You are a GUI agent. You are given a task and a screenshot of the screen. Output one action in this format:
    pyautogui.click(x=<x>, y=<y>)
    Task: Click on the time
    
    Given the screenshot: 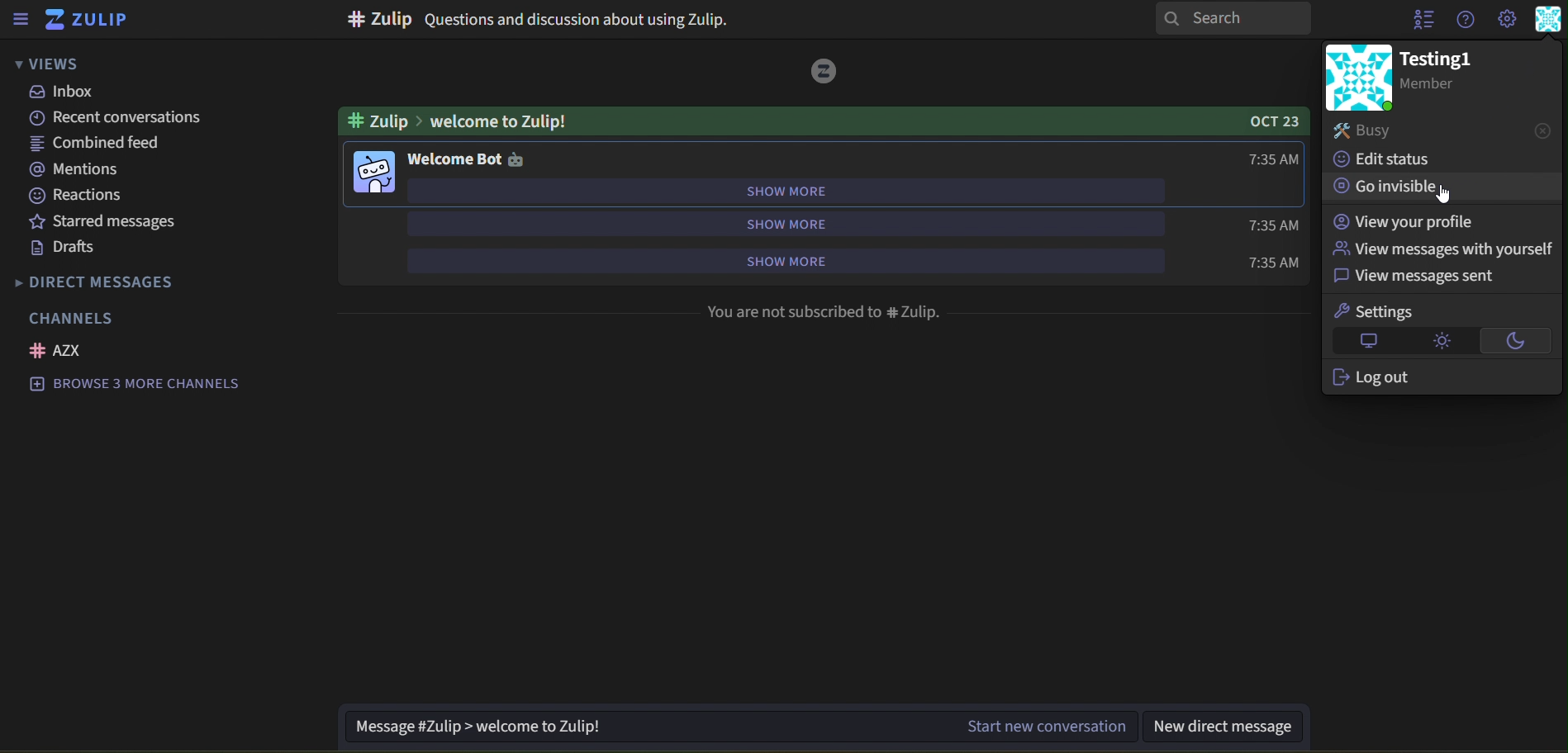 What is the action you would take?
    pyautogui.click(x=1271, y=262)
    